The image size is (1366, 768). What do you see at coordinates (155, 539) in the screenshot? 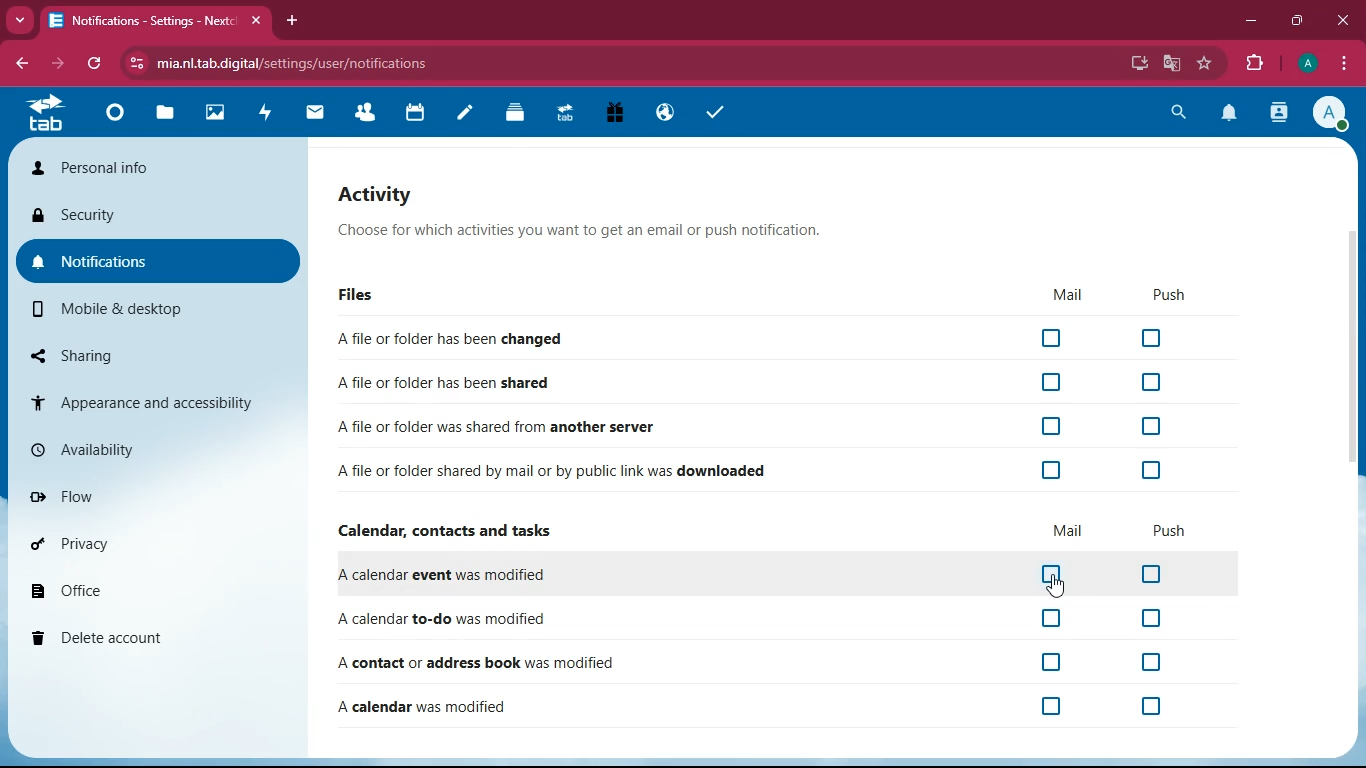
I see `privacy` at bounding box center [155, 539].